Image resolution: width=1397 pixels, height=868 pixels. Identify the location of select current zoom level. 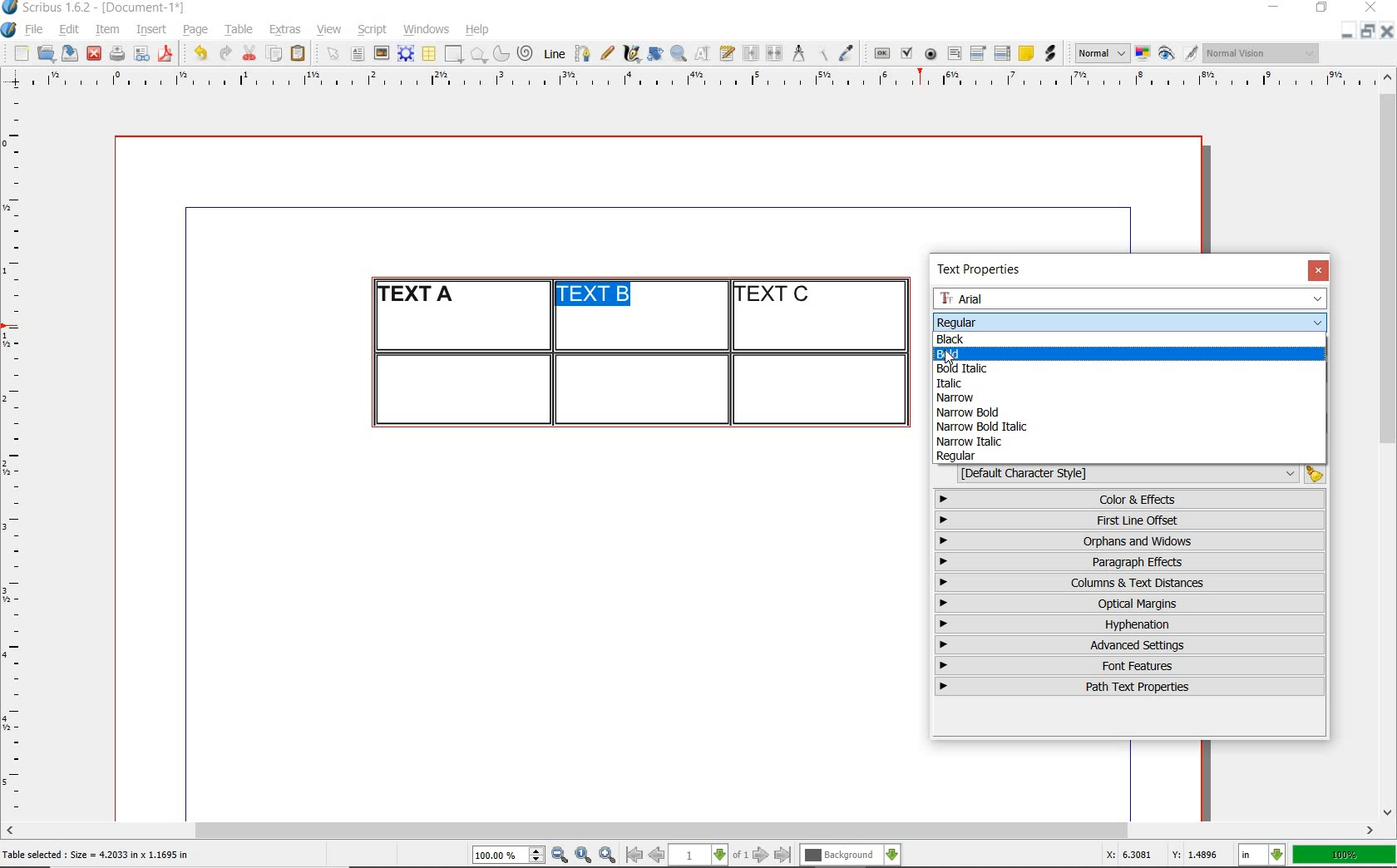
(509, 855).